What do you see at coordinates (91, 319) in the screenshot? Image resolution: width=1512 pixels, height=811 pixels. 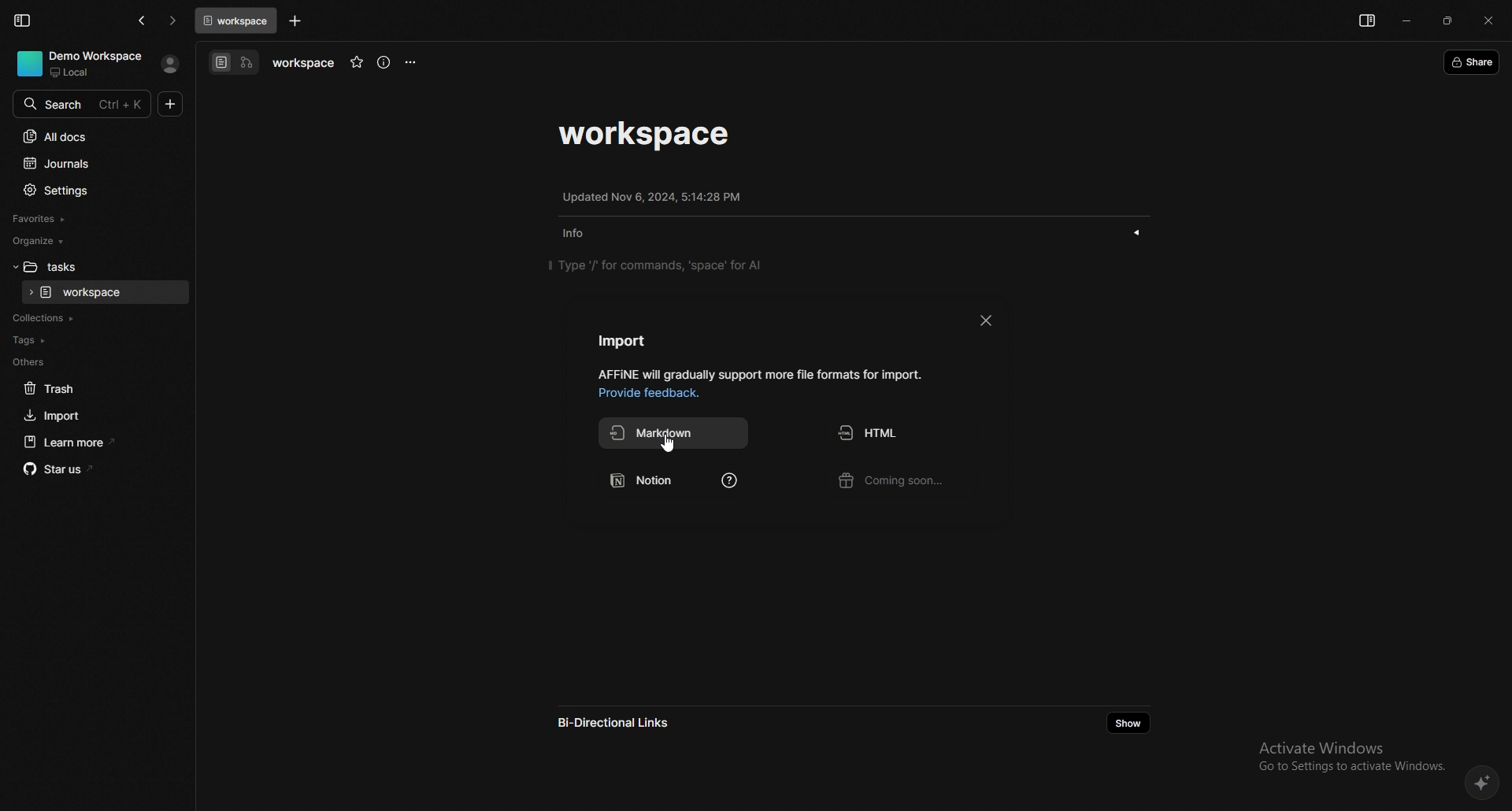 I see `collections` at bounding box center [91, 319].